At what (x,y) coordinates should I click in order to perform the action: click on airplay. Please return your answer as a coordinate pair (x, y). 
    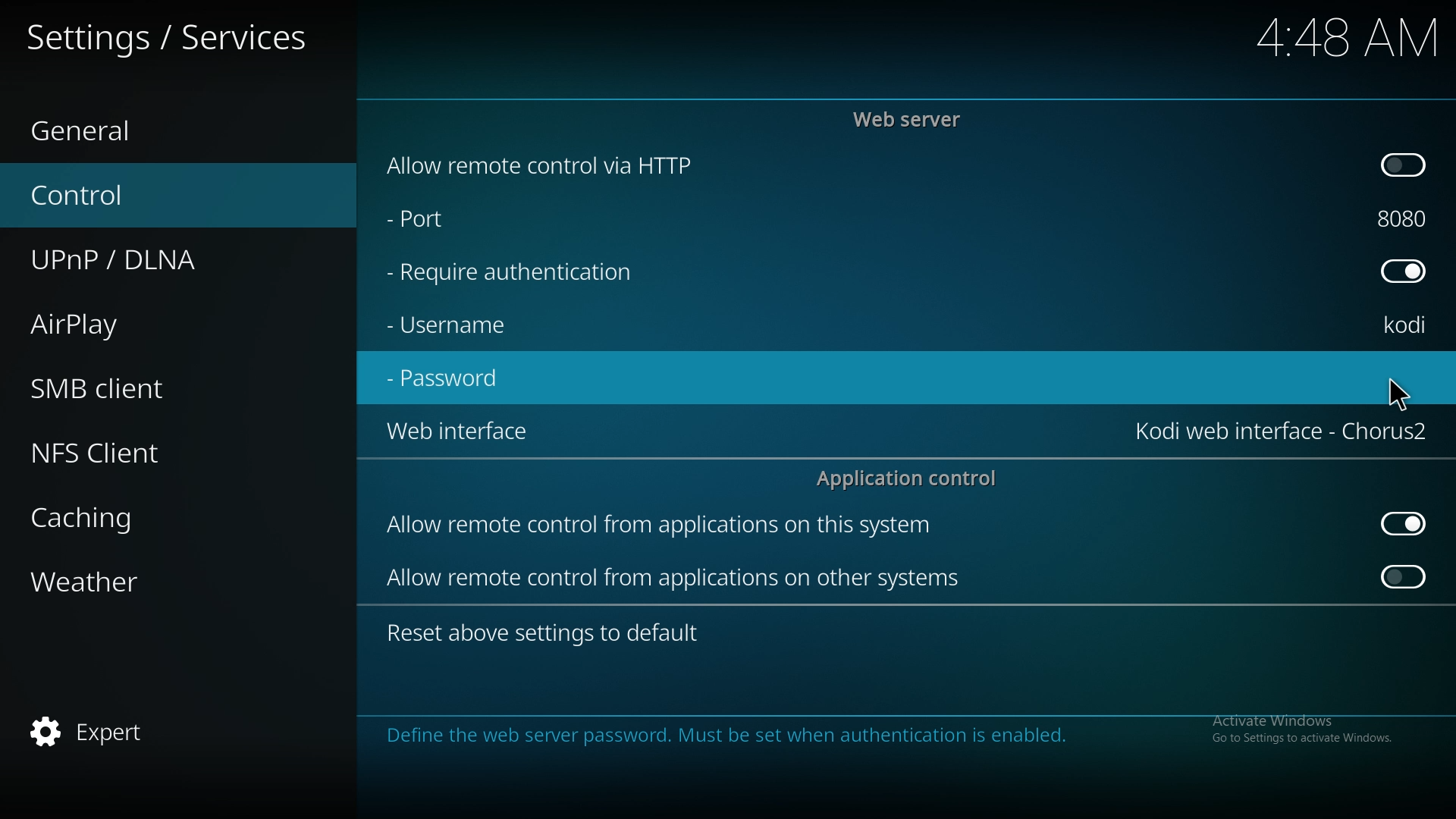
    Looking at the image, I should click on (114, 326).